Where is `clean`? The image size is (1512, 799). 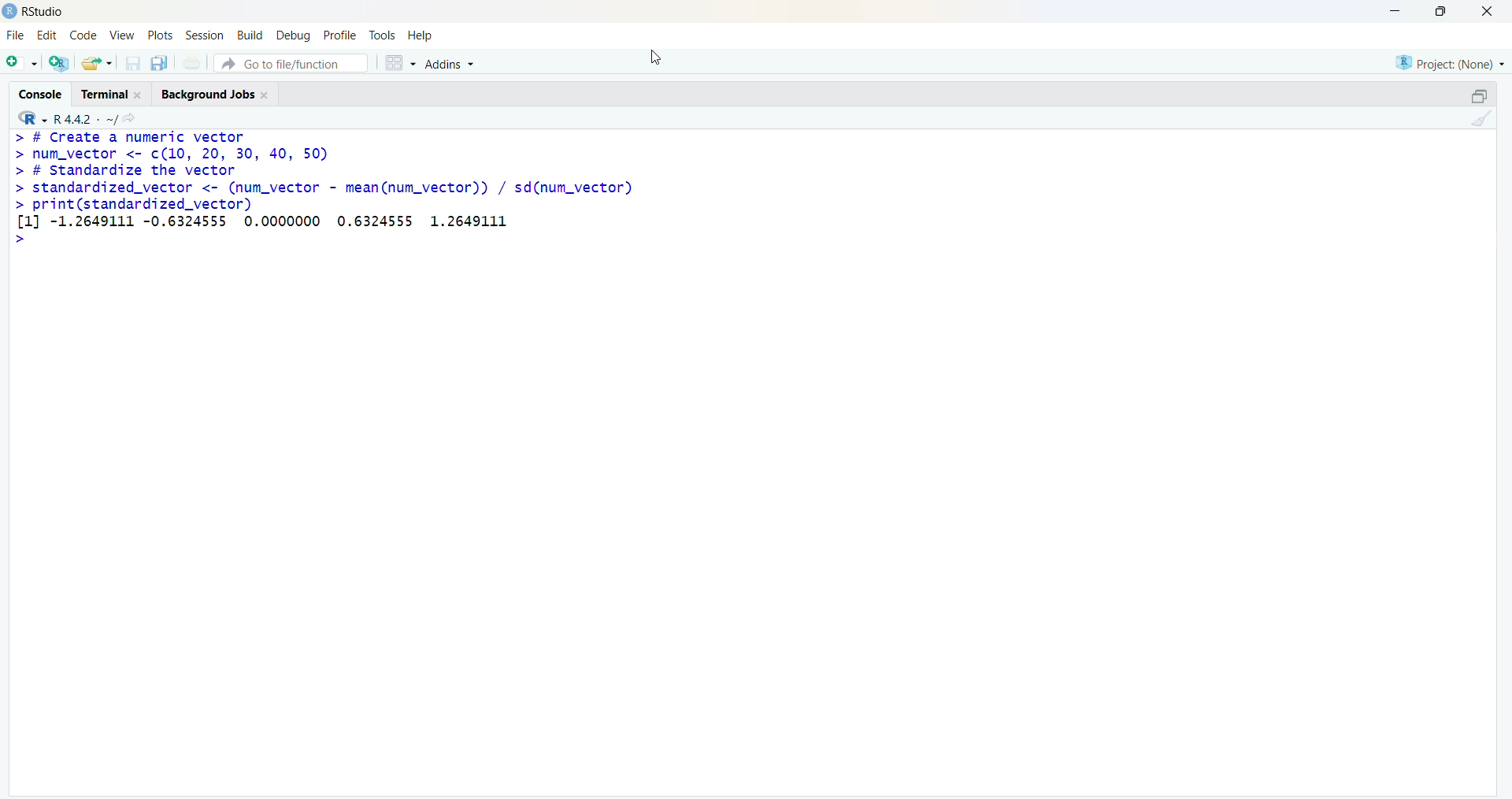
clean is located at coordinates (1482, 118).